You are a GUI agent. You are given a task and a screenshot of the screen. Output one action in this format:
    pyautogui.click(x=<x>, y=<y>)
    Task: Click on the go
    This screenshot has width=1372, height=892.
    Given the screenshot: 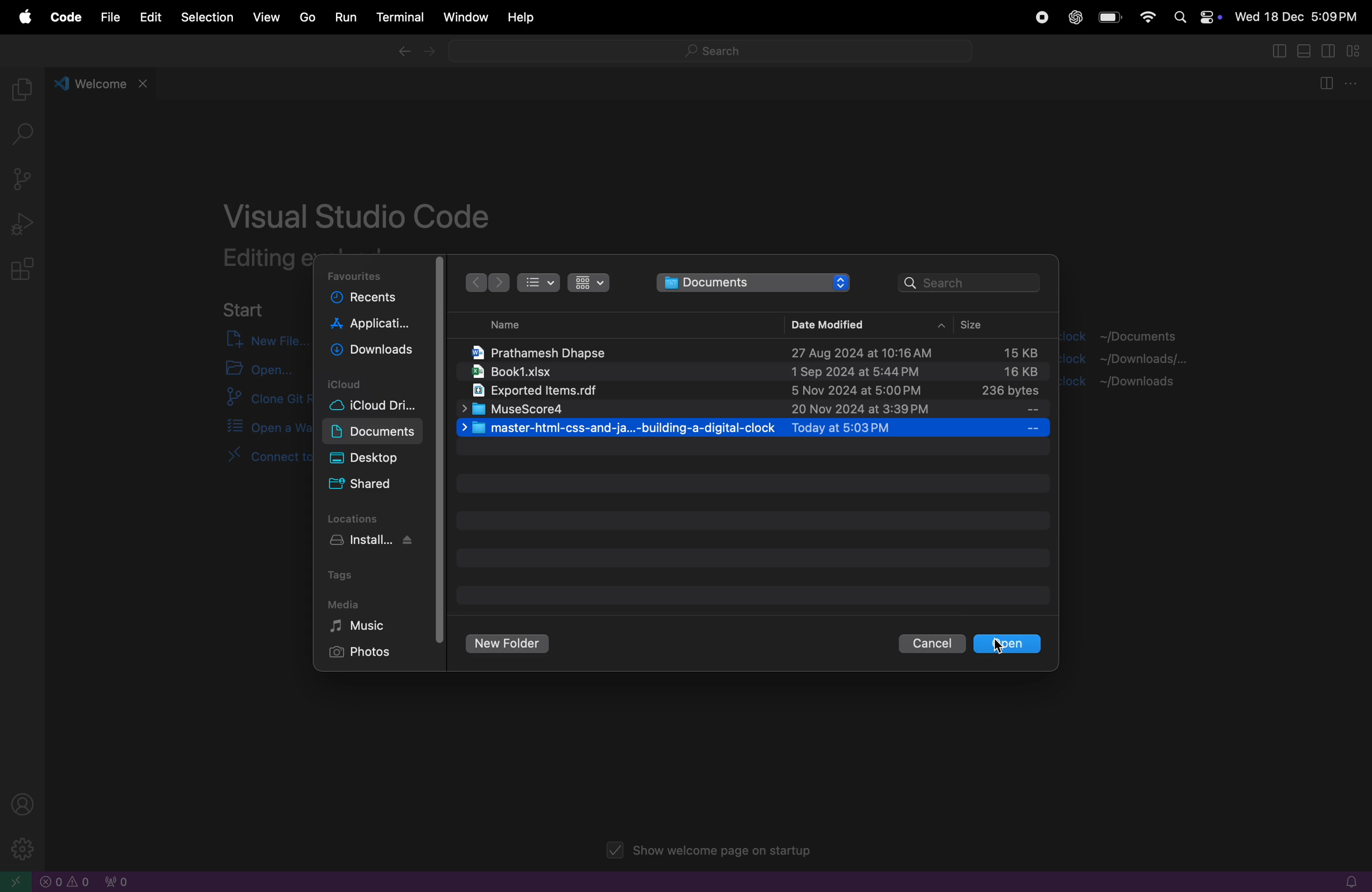 What is the action you would take?
    pyautogui.click(x=304, y=17)
    